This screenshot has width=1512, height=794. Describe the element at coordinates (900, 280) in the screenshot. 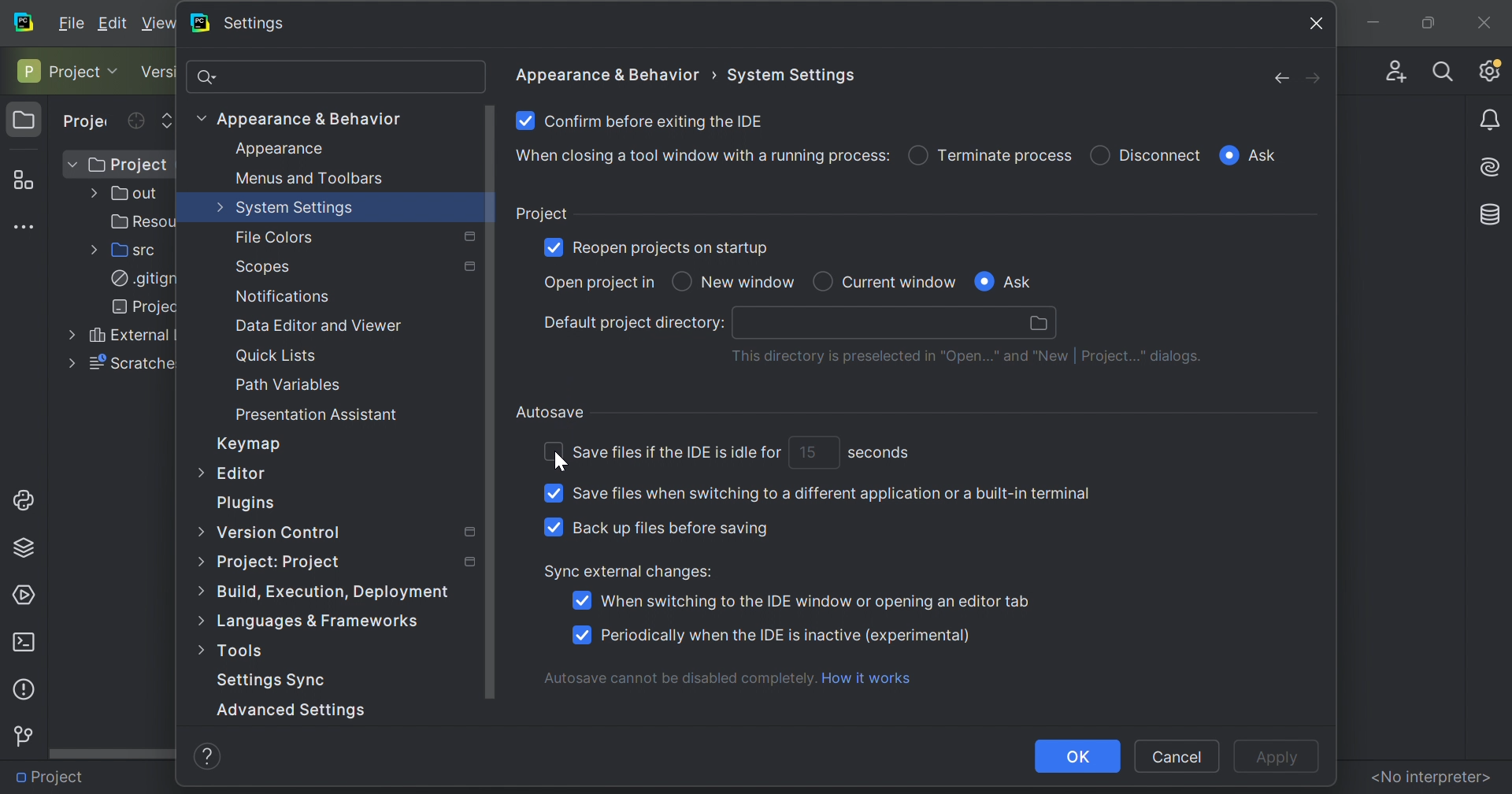

I see `Current Window` at that location.